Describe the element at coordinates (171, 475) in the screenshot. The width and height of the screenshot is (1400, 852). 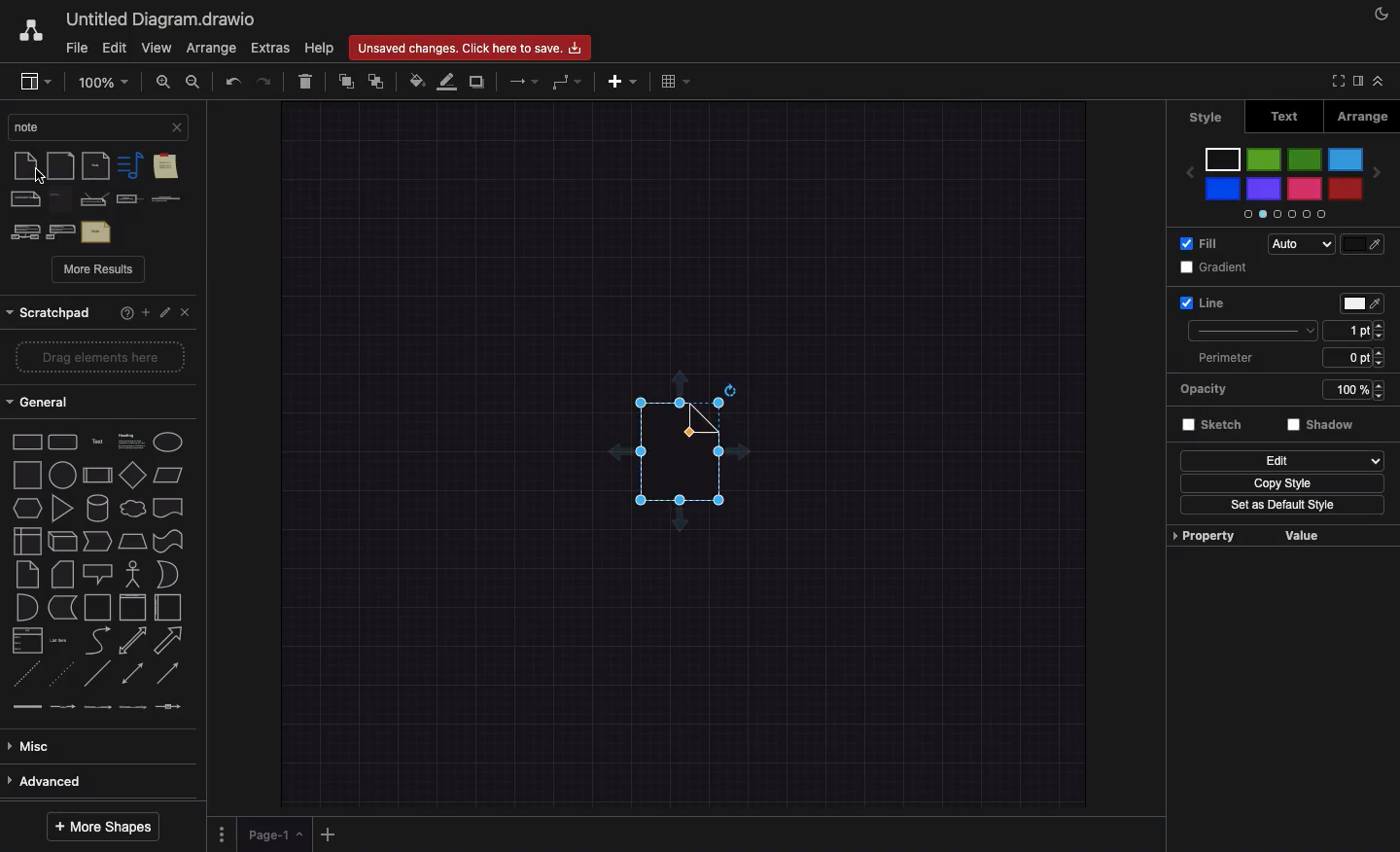
I see `paralellogram` at that location.